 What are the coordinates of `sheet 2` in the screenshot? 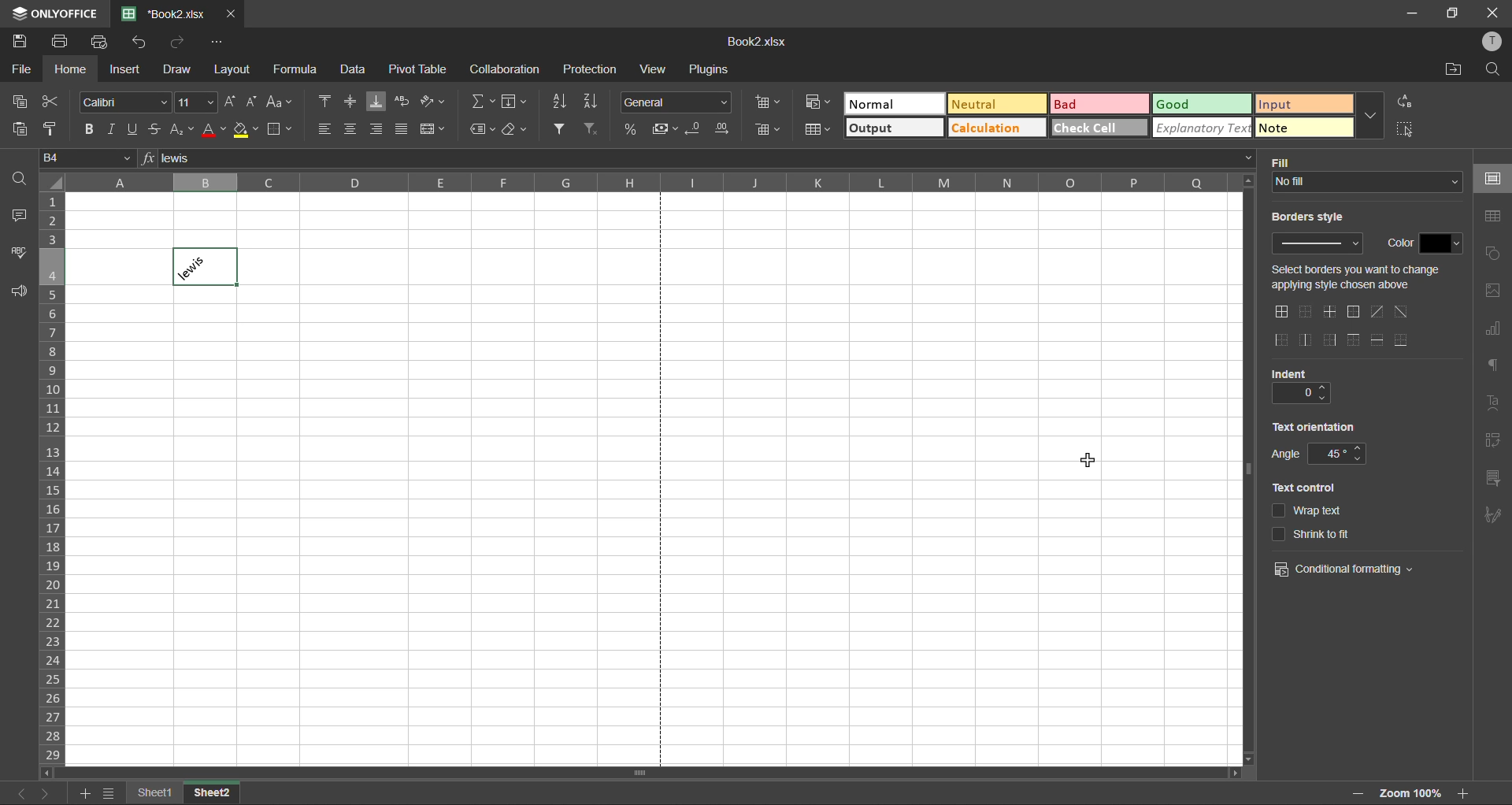 It's located at (211, 792).